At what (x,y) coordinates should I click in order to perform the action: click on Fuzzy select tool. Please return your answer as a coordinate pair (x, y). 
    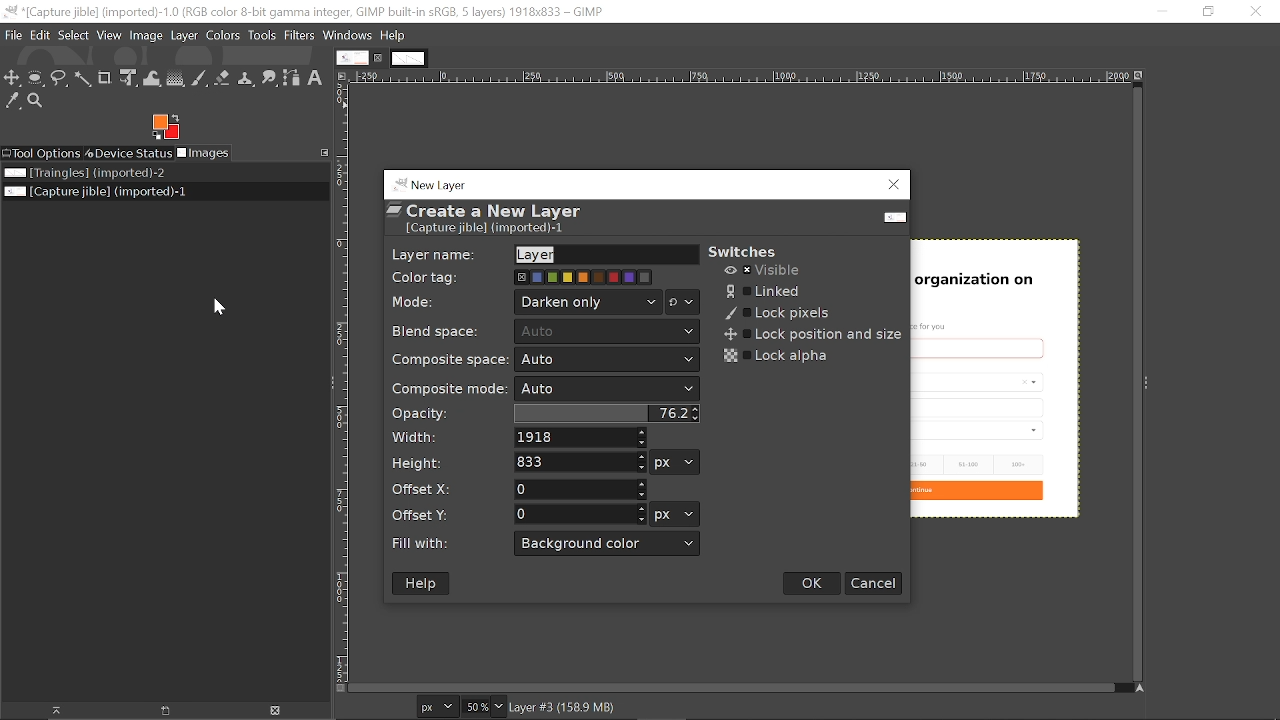
    Looking at the image, I should click on (83, 79).